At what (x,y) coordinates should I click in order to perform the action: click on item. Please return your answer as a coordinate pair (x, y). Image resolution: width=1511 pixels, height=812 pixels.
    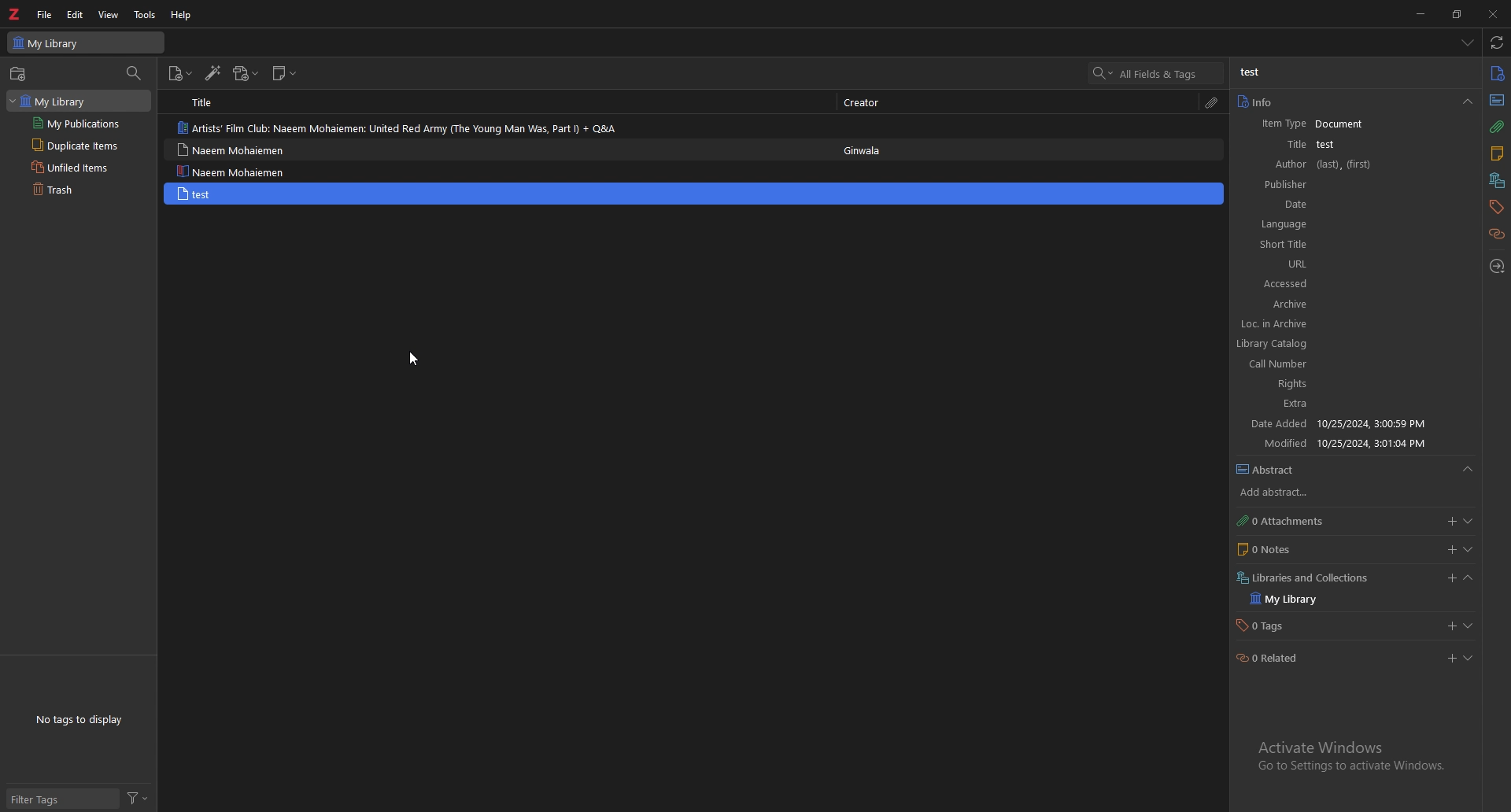
    Looking at the image, I should click on (500, 127).